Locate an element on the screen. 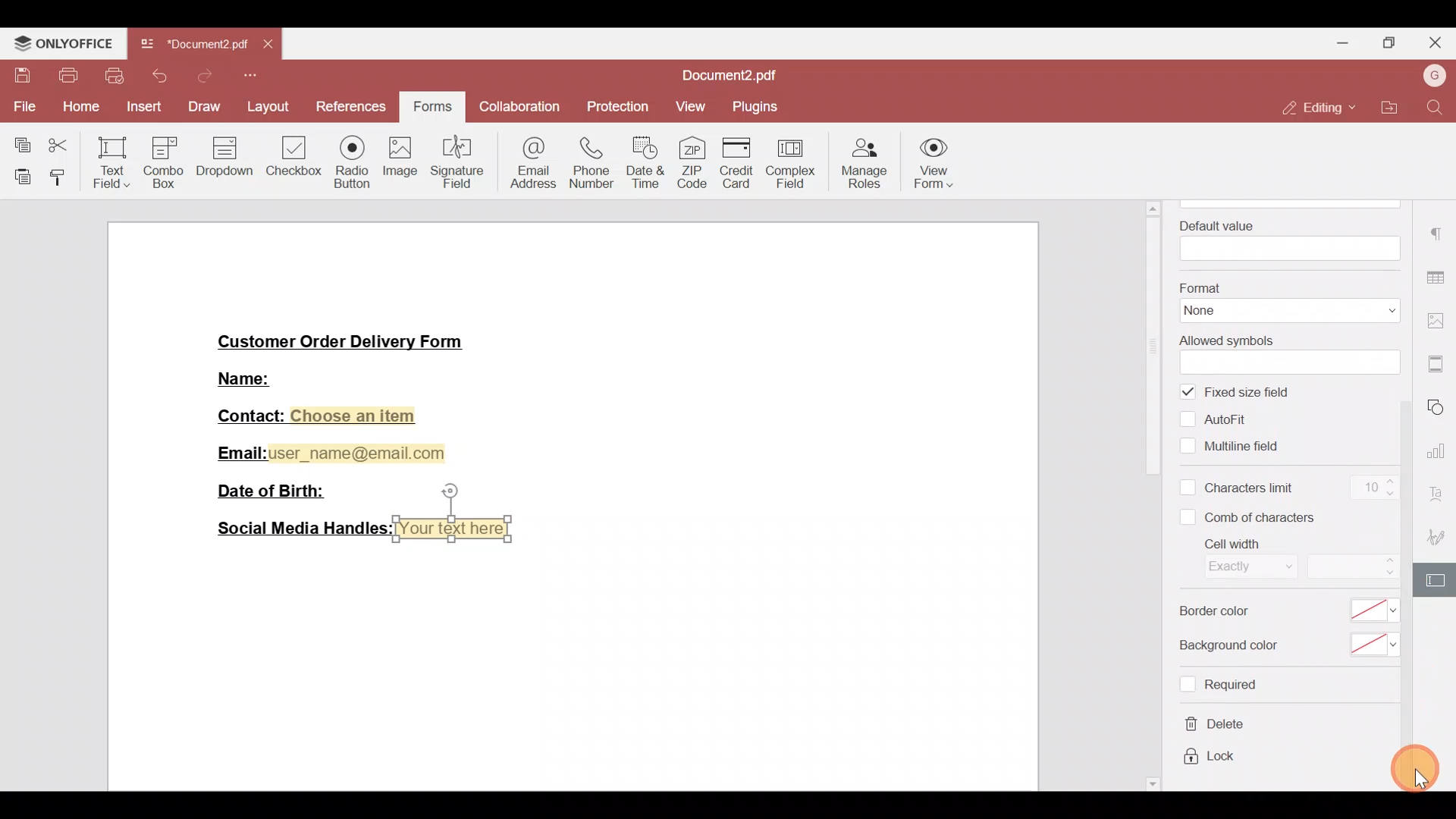  Autofill is located at coordinates (1221, 419).